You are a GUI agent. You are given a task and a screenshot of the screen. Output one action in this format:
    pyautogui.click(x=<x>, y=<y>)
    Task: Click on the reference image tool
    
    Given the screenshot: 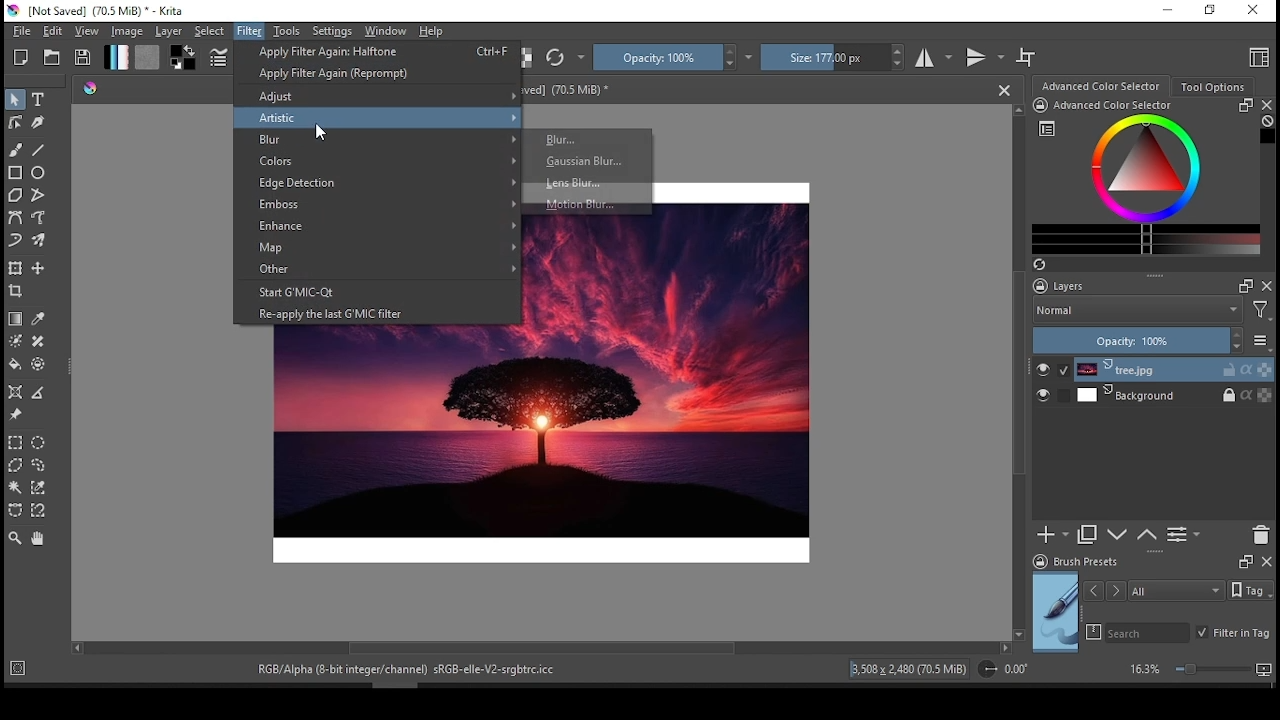 What is the action you would take?
    pyautogui.click(x=15, y=413)
    